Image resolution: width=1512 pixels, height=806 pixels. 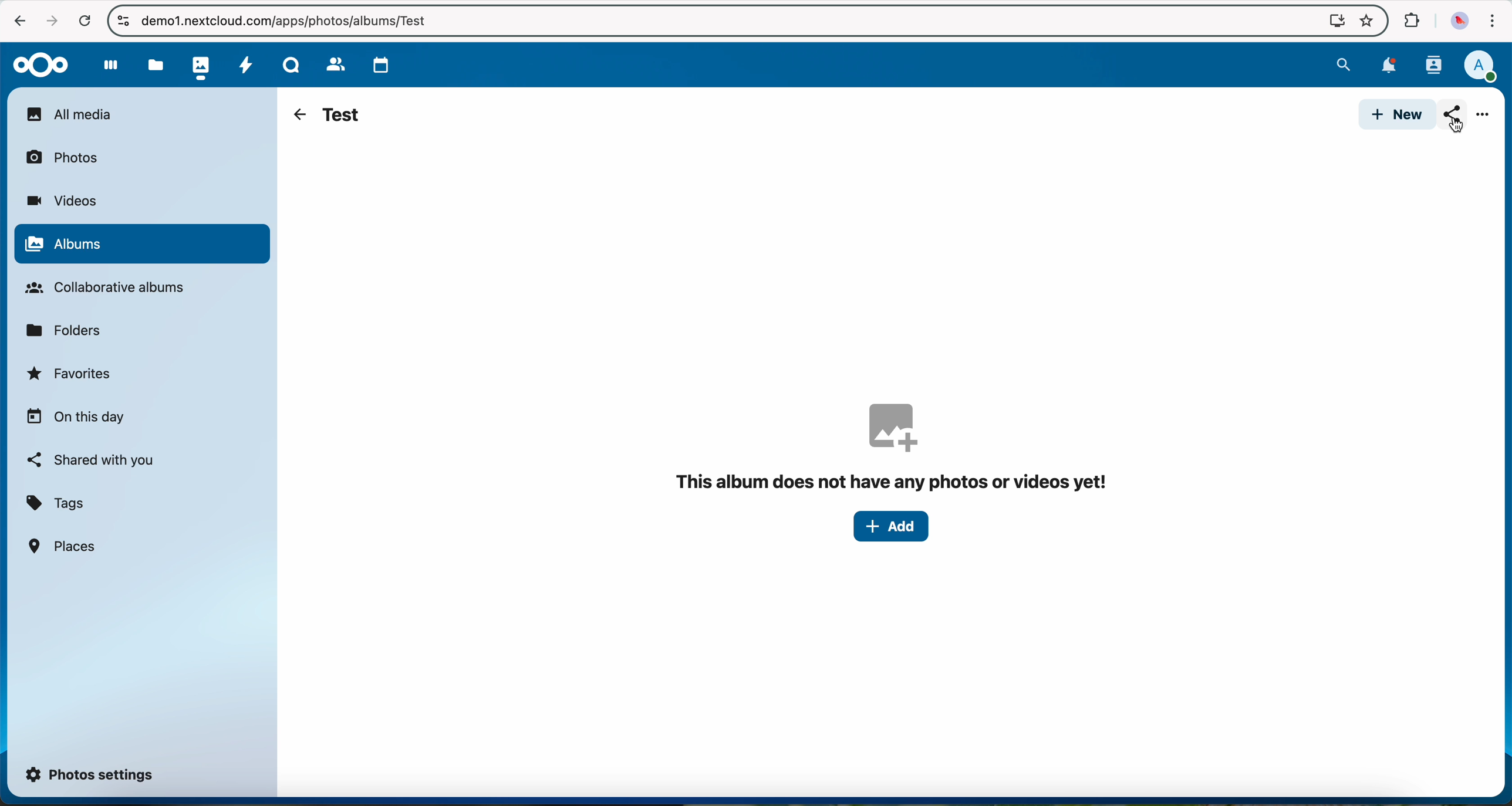 I want to click on navigate back, so click(x=296, y=114).